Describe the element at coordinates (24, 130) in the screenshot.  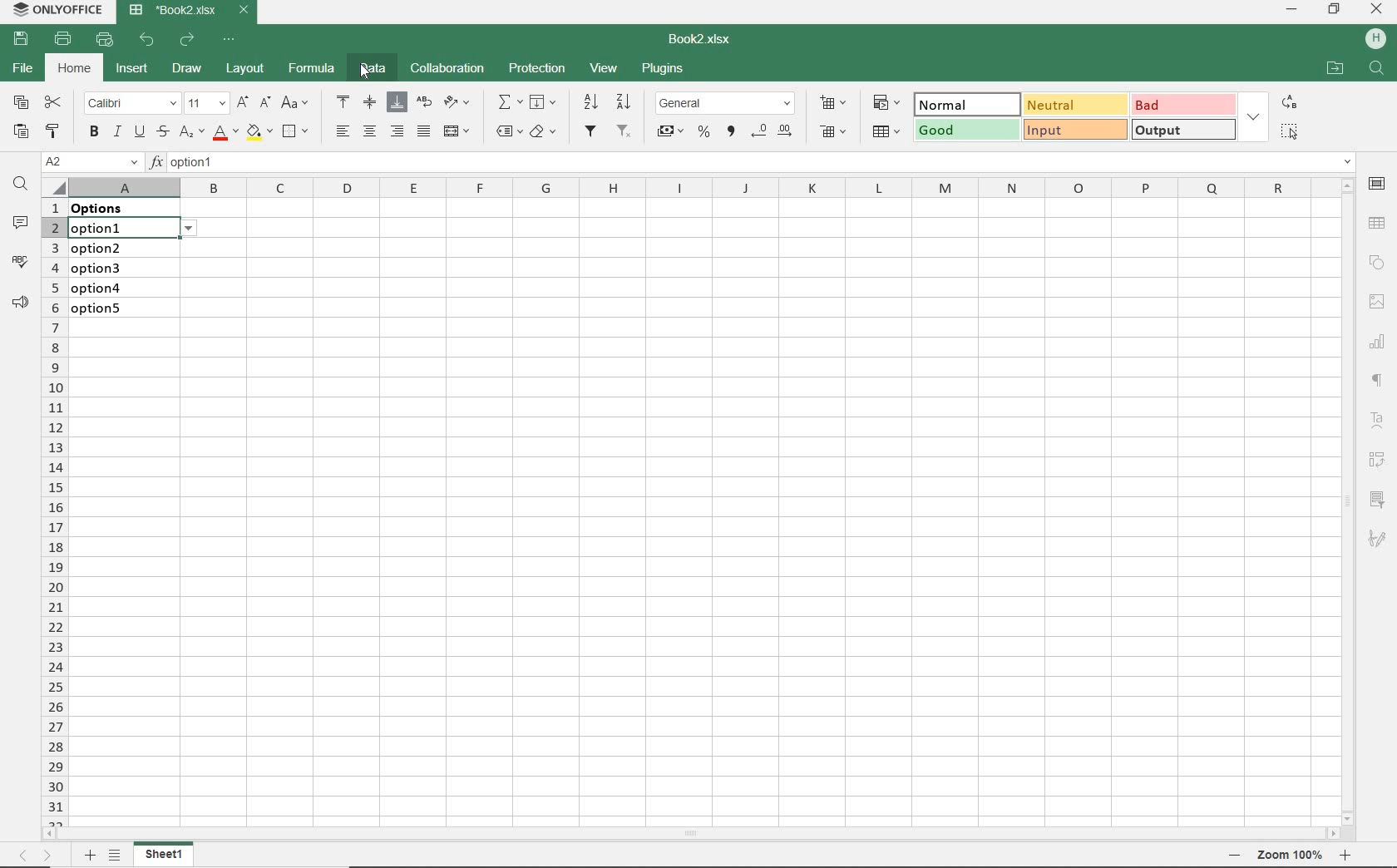
I see `PASTE` at that location.